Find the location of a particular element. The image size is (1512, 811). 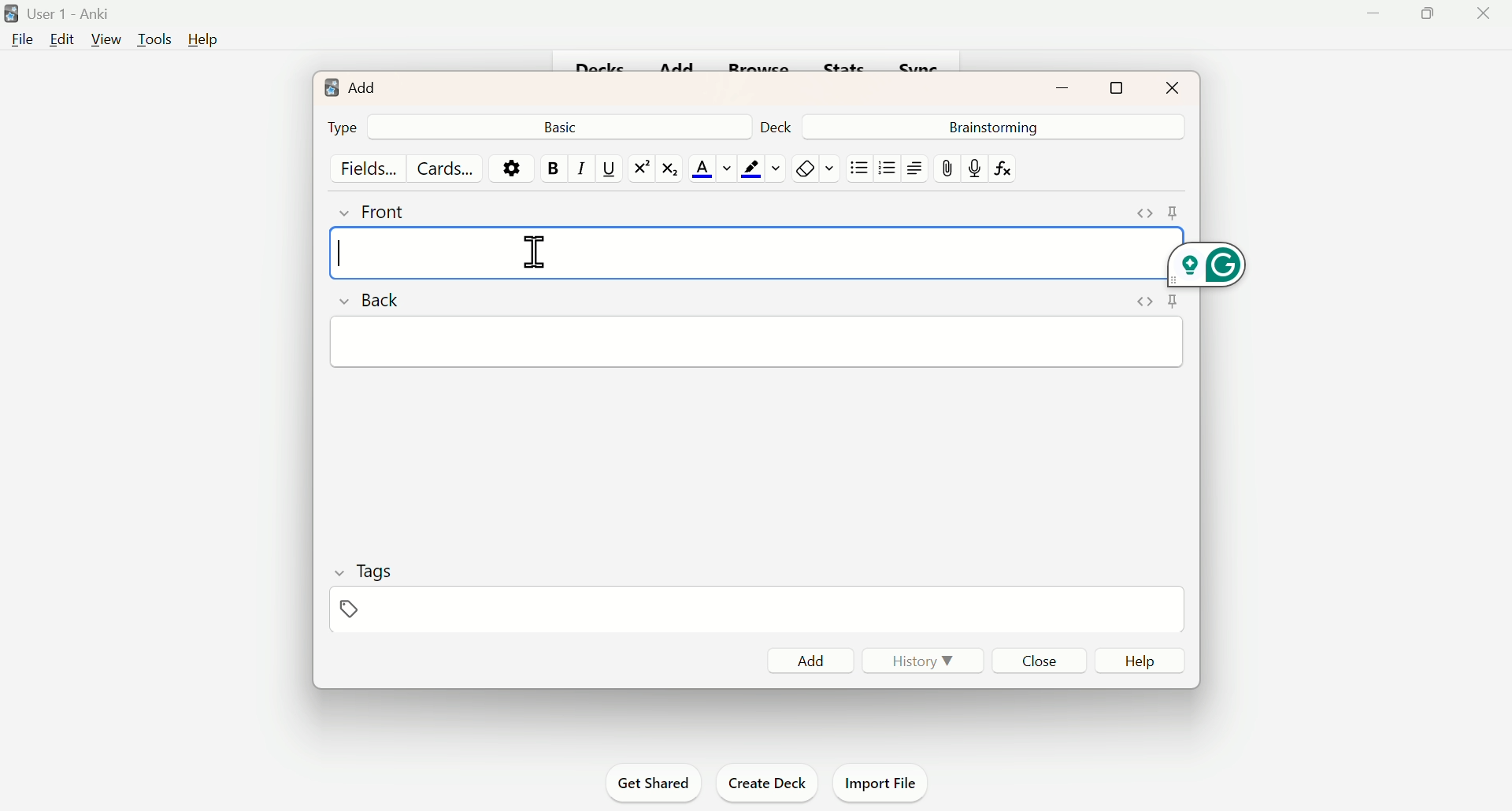

Underline is located at coordinates (608, 167).